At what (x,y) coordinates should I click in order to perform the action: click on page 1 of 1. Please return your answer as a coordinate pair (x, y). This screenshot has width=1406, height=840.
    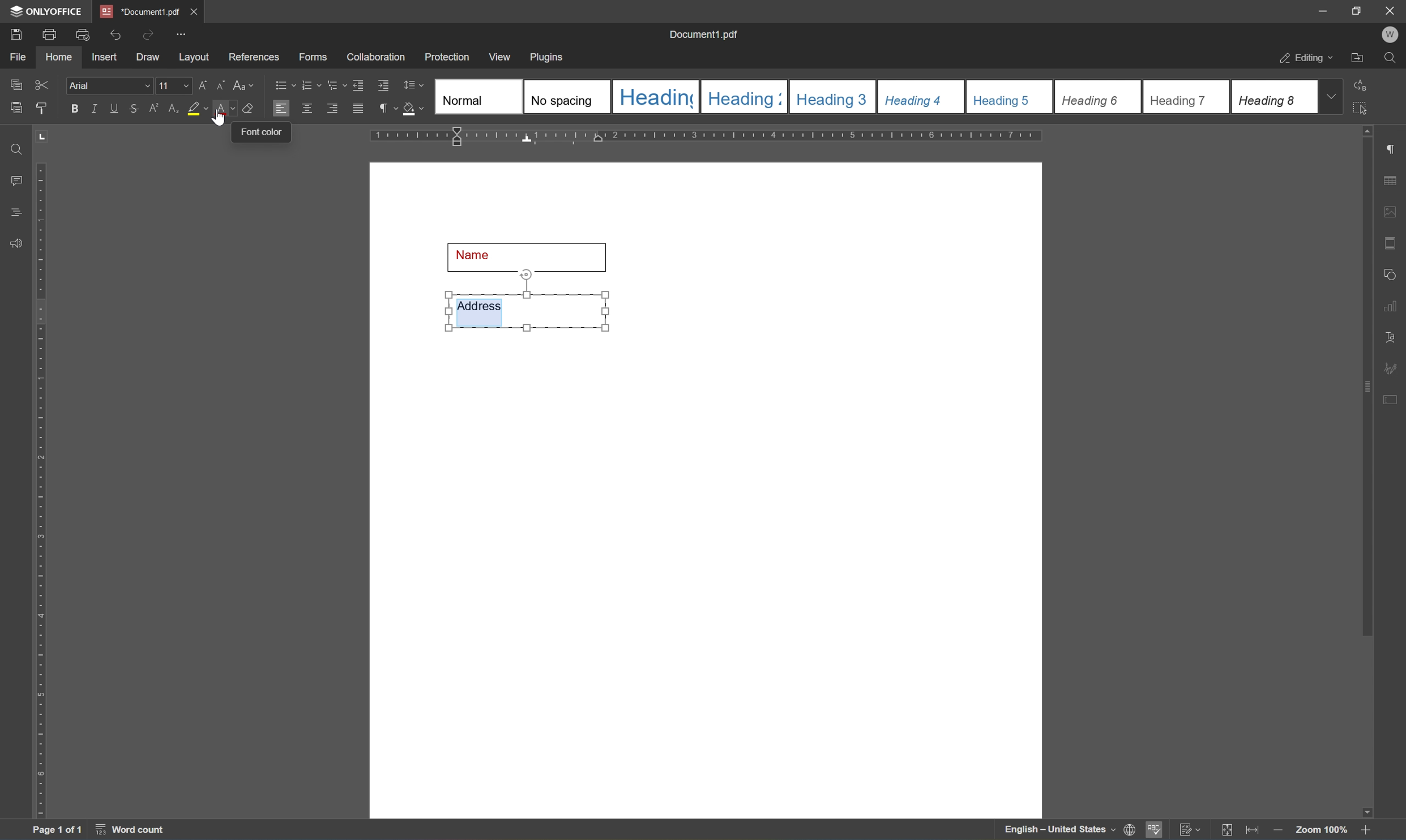
    Looking at the image, I should click on (59, 830).